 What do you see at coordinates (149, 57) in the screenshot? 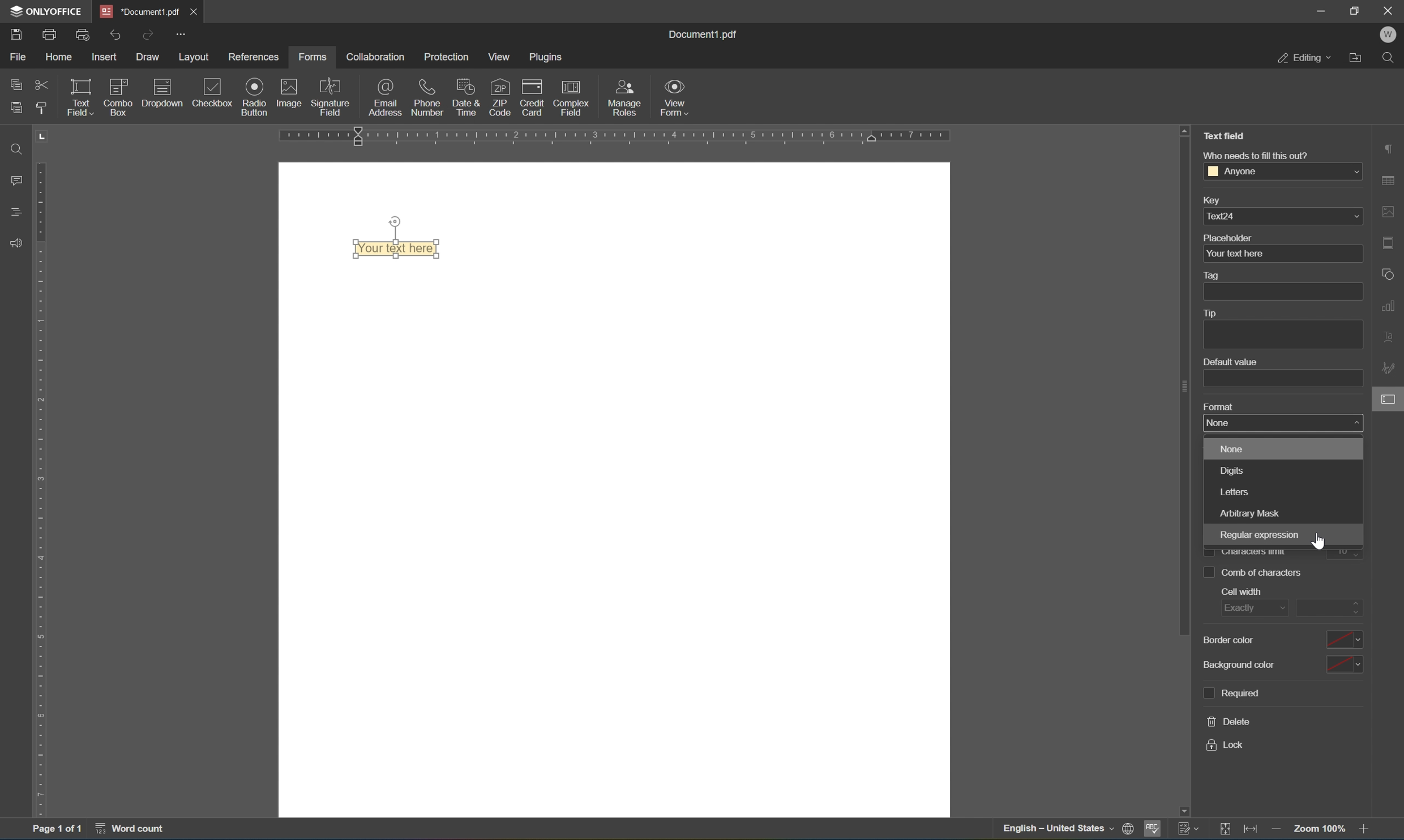
I see `draw` at bounding box center [149, 57].